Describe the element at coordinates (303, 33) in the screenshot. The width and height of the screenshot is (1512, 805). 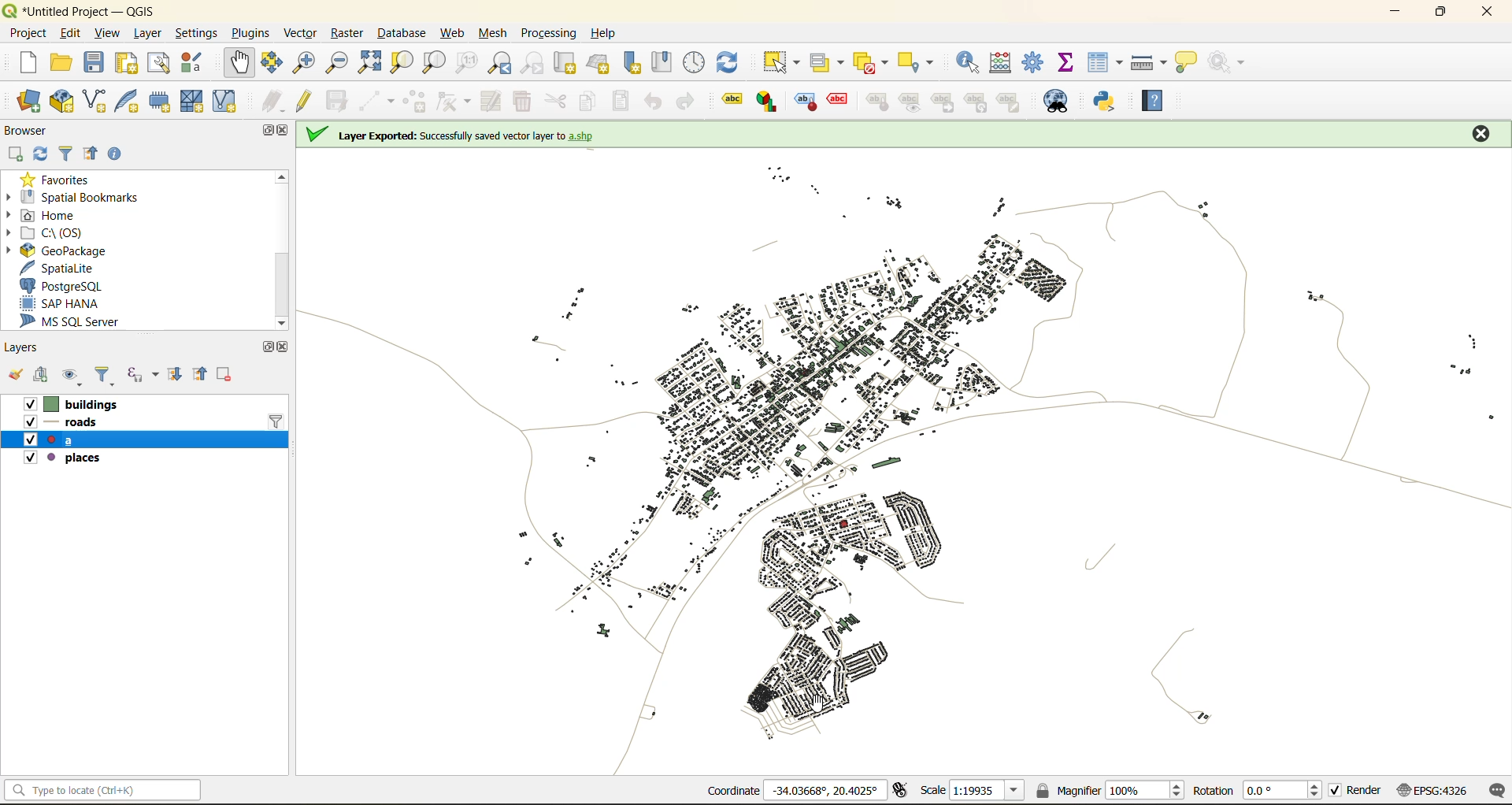
I see `vector` at that location.